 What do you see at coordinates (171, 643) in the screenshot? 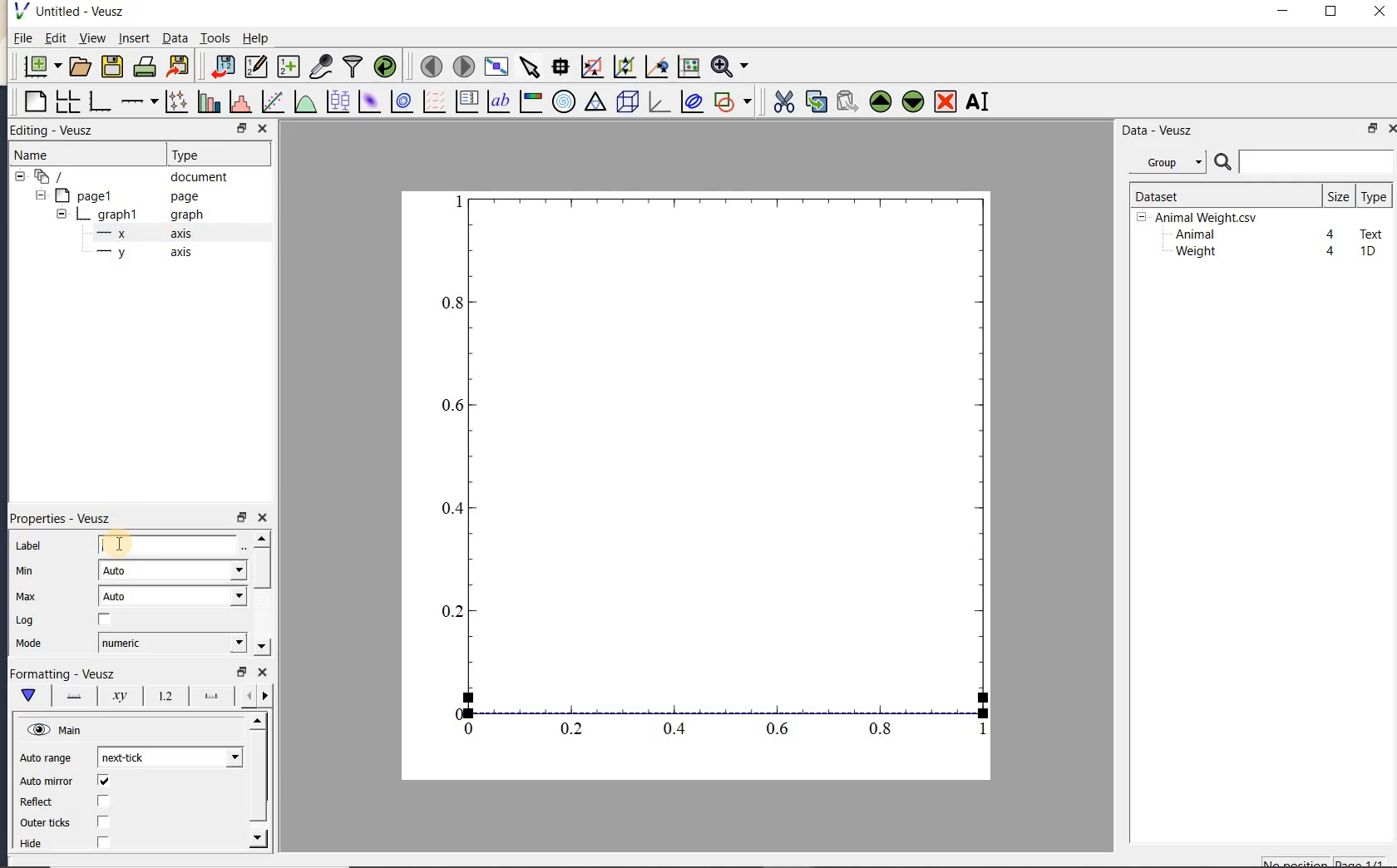
I see `Numeric` at bounding box center [171, 643].